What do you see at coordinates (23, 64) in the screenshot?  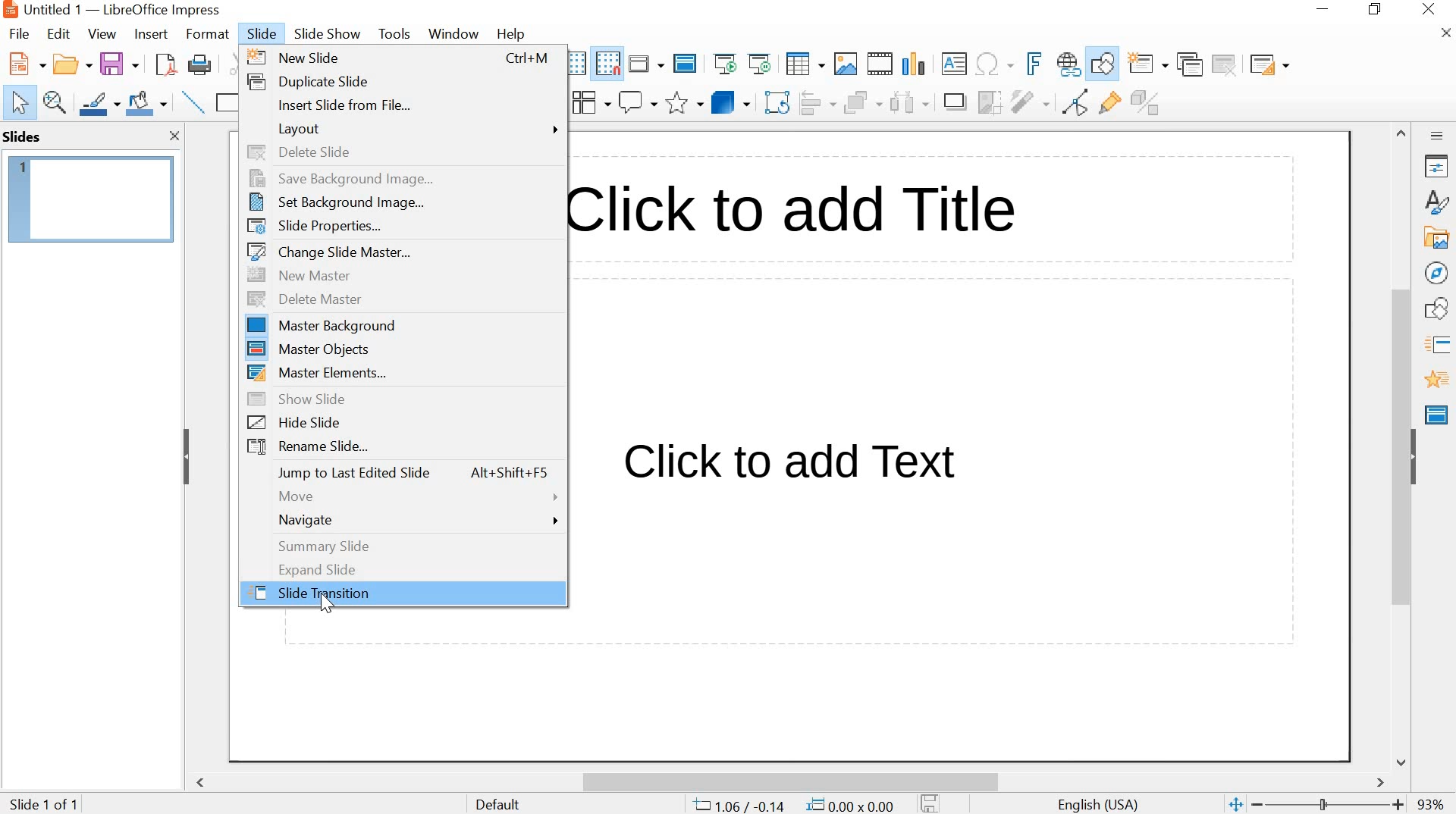 I see `NEW` at bounding box center [23, 64].